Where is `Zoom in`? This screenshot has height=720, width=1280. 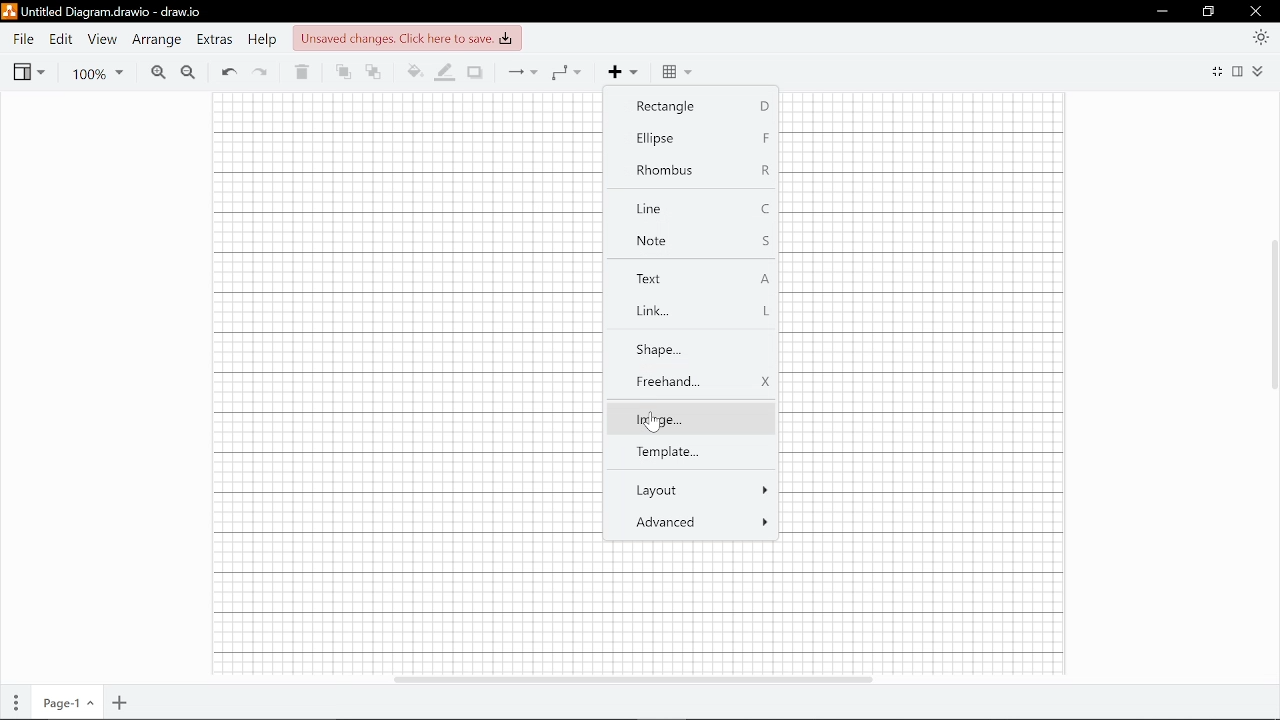 Zoom in is located at coordinates (154, 72).